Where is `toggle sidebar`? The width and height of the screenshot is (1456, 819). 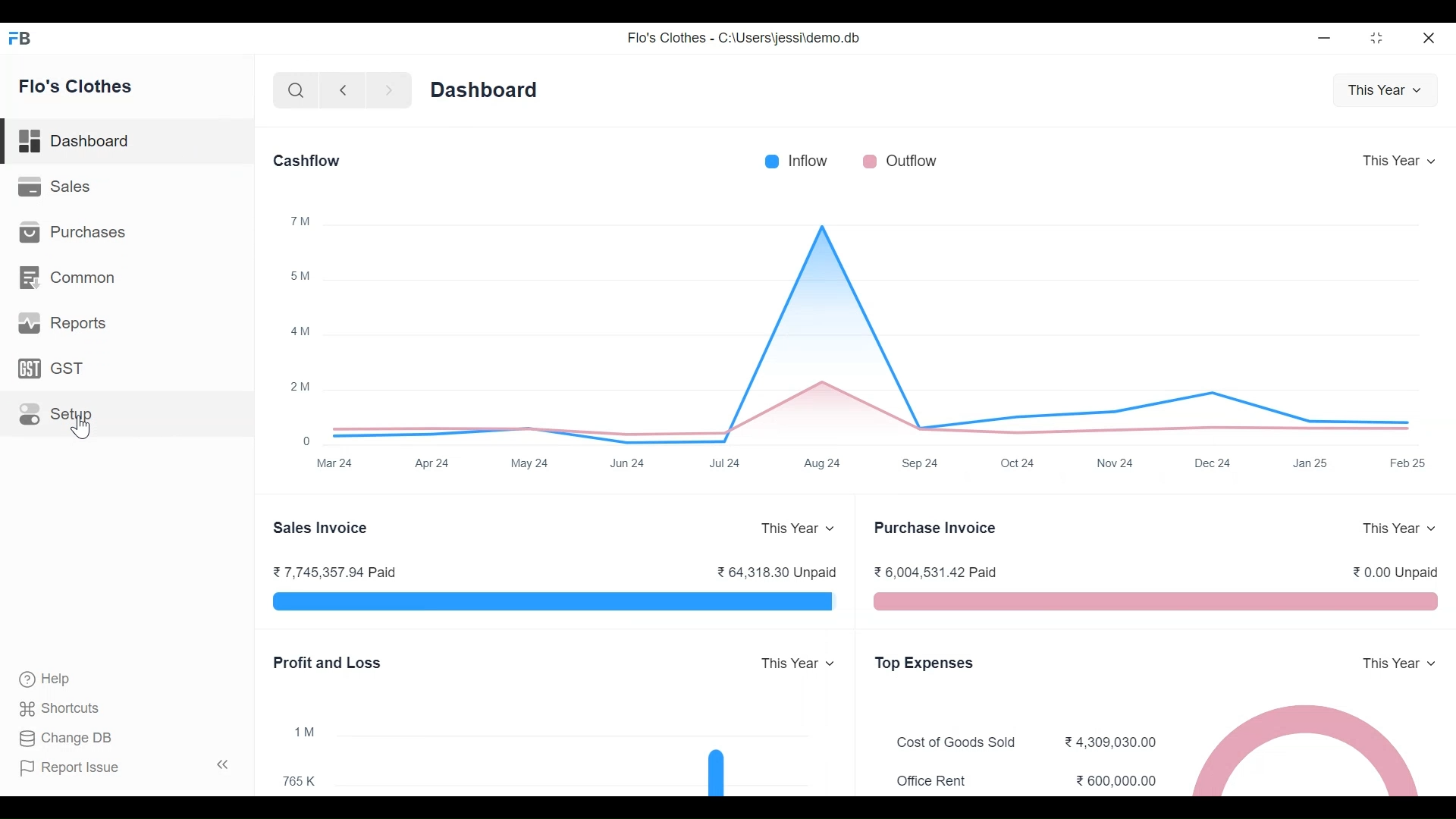
toggle sidebar is located at coordinates (224, 764).